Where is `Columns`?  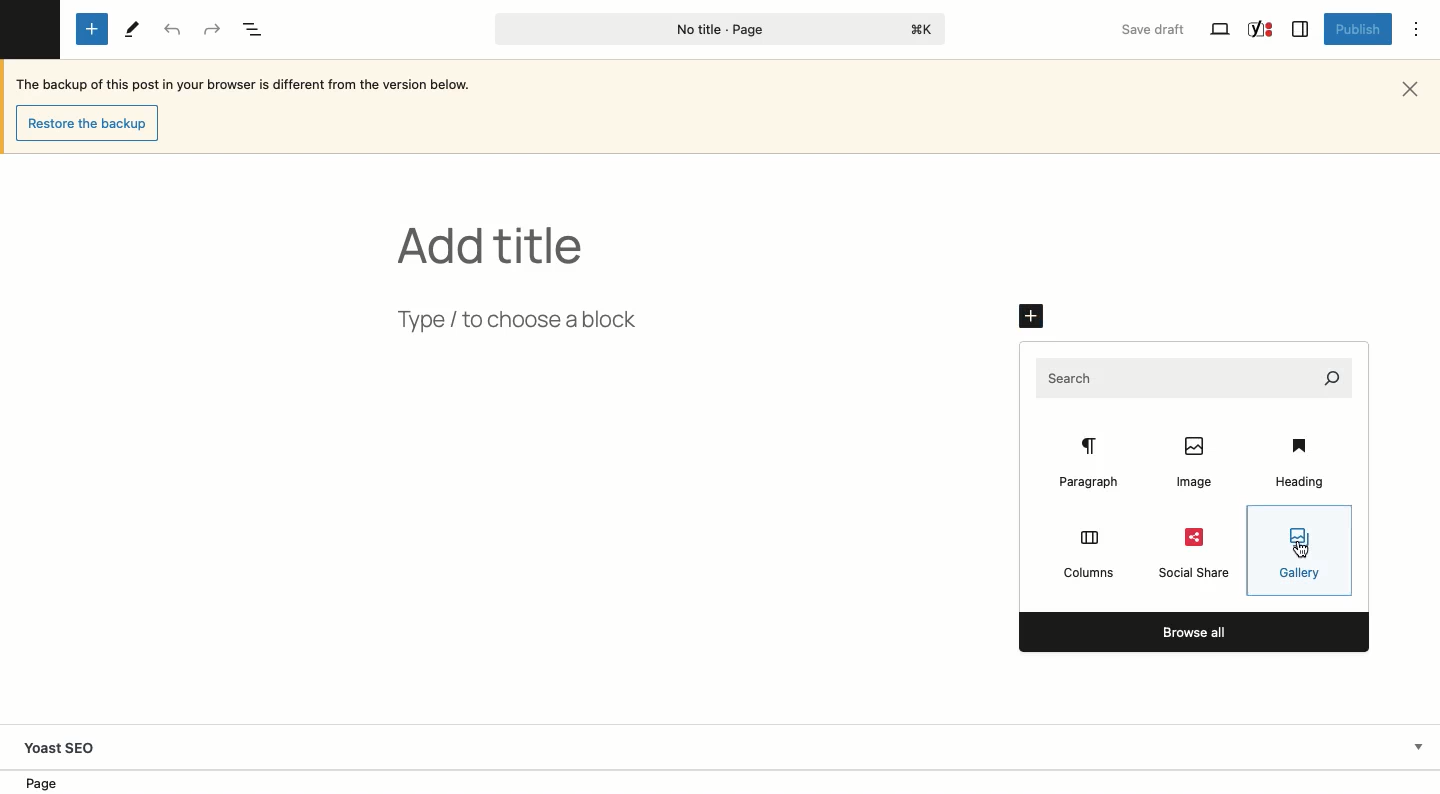
Columns is located at coordinates (1088, 554).